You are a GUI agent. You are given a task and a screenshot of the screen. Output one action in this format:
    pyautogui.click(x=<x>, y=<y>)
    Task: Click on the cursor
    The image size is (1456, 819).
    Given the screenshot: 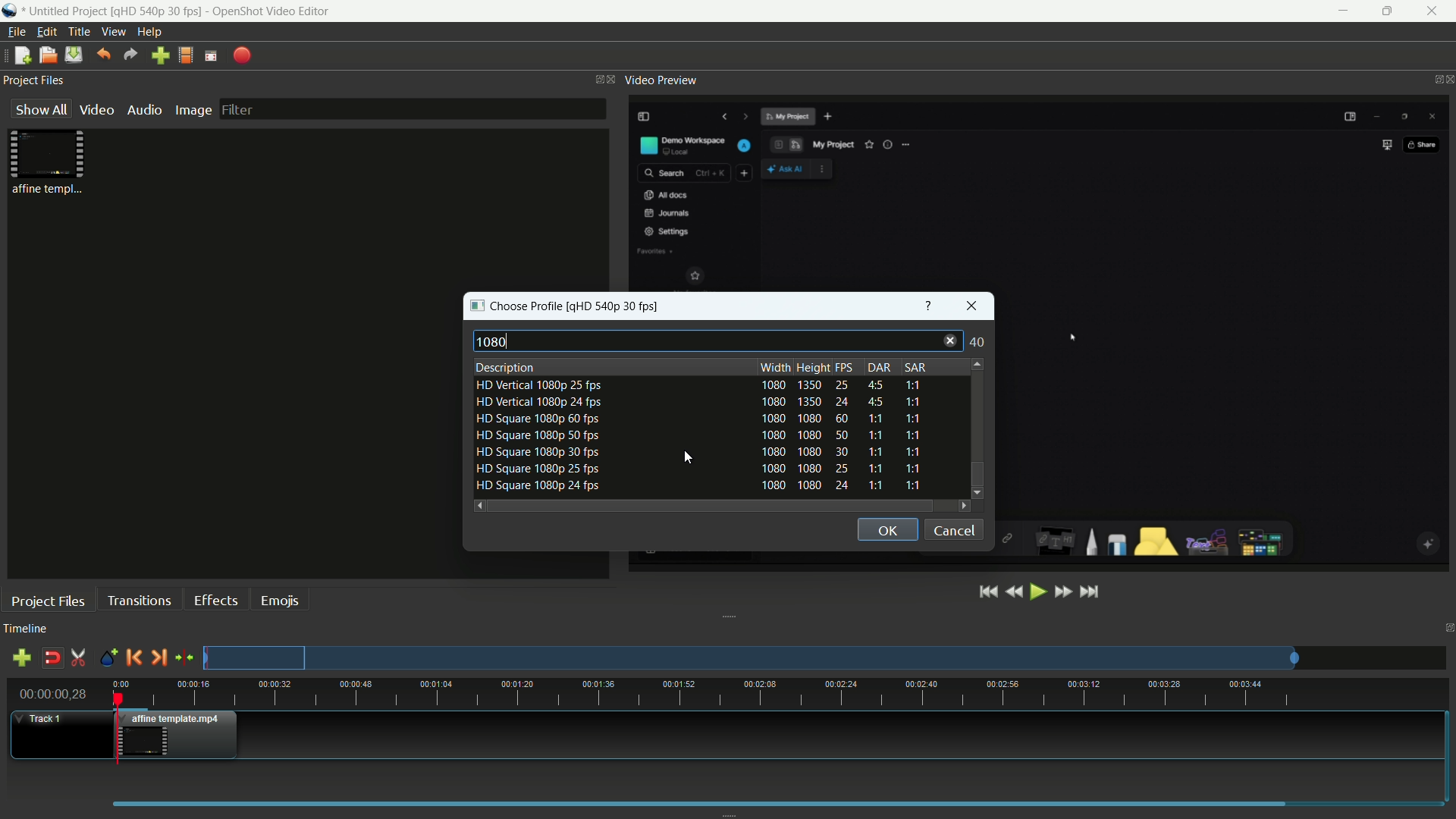 What is the action you would take?
    pyautogui.click(x=1070, y=335)
    